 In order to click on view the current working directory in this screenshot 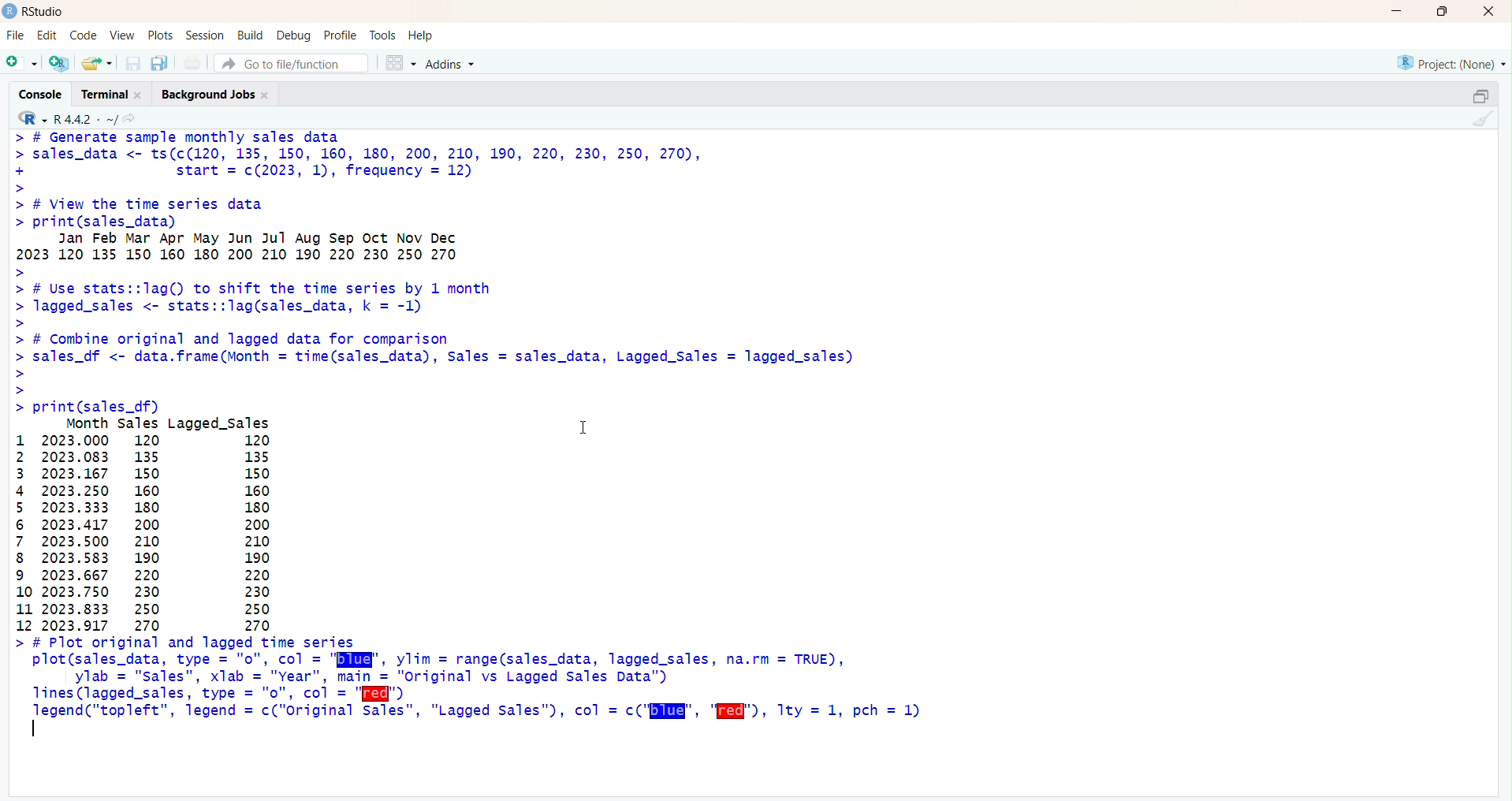, I will do `click(131, 120)`.